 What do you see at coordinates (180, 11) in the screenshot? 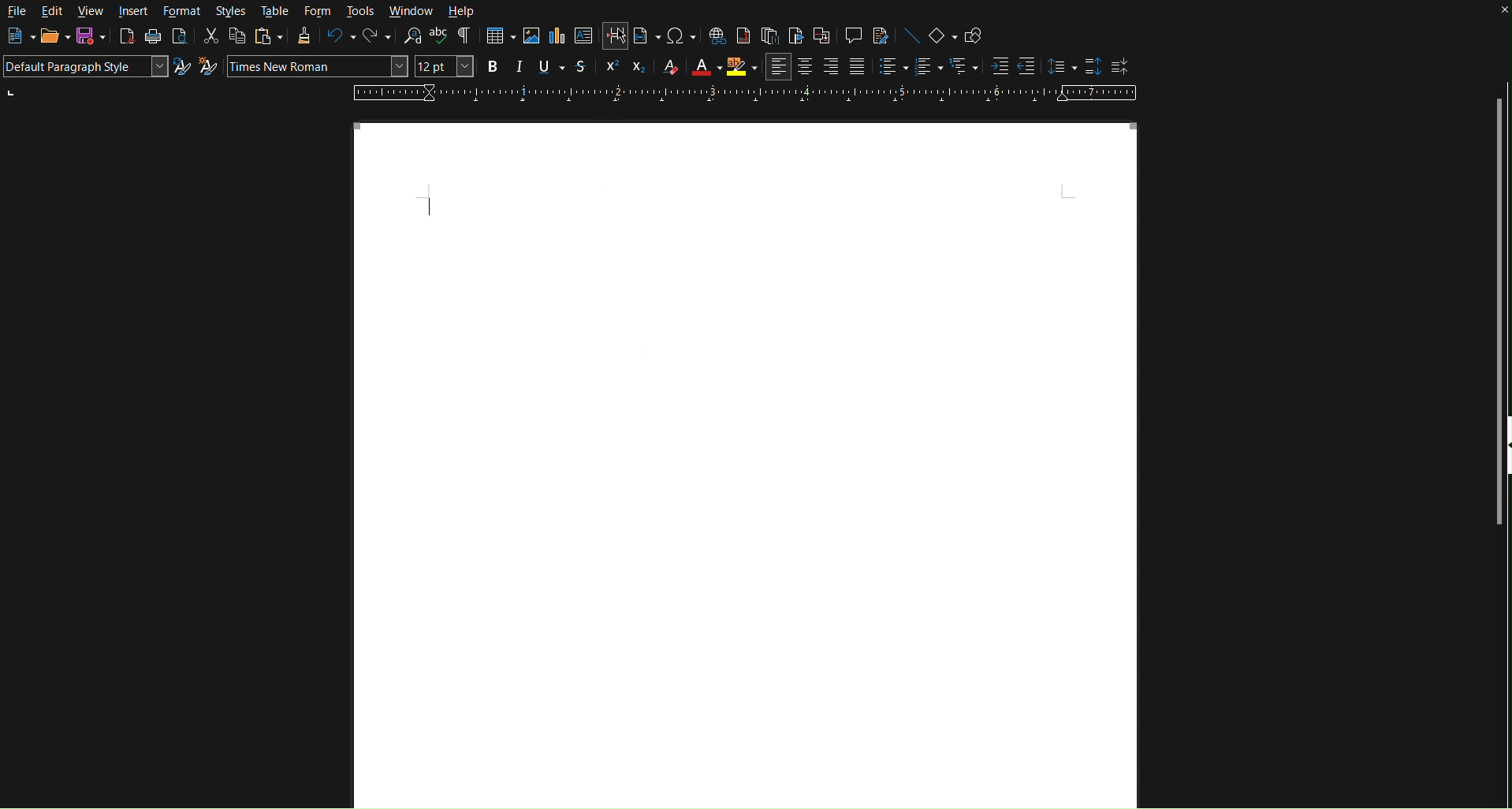
I see `Format` at bounding box center [180, 11].